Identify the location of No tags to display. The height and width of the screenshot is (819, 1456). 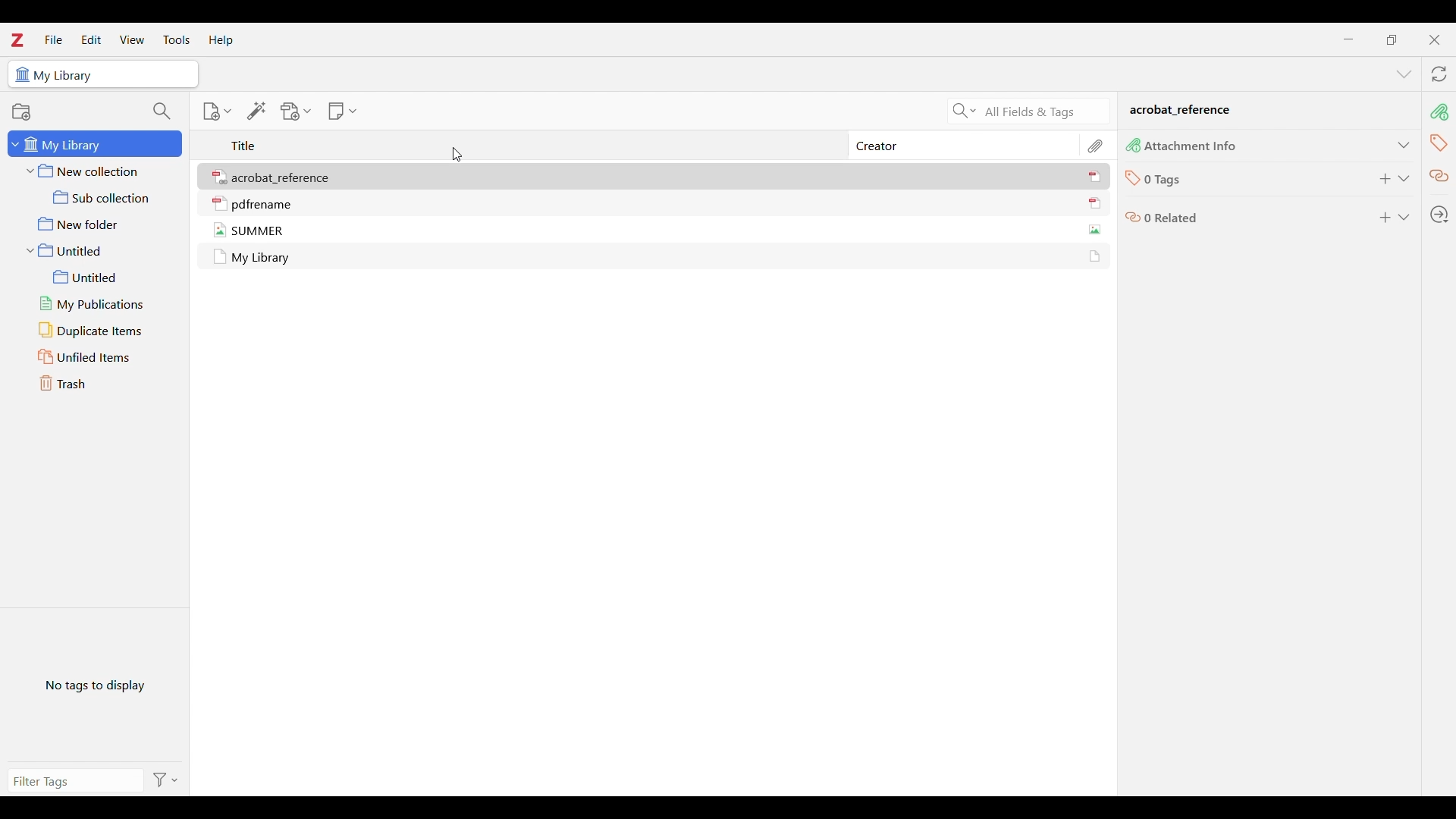
(96, 685).